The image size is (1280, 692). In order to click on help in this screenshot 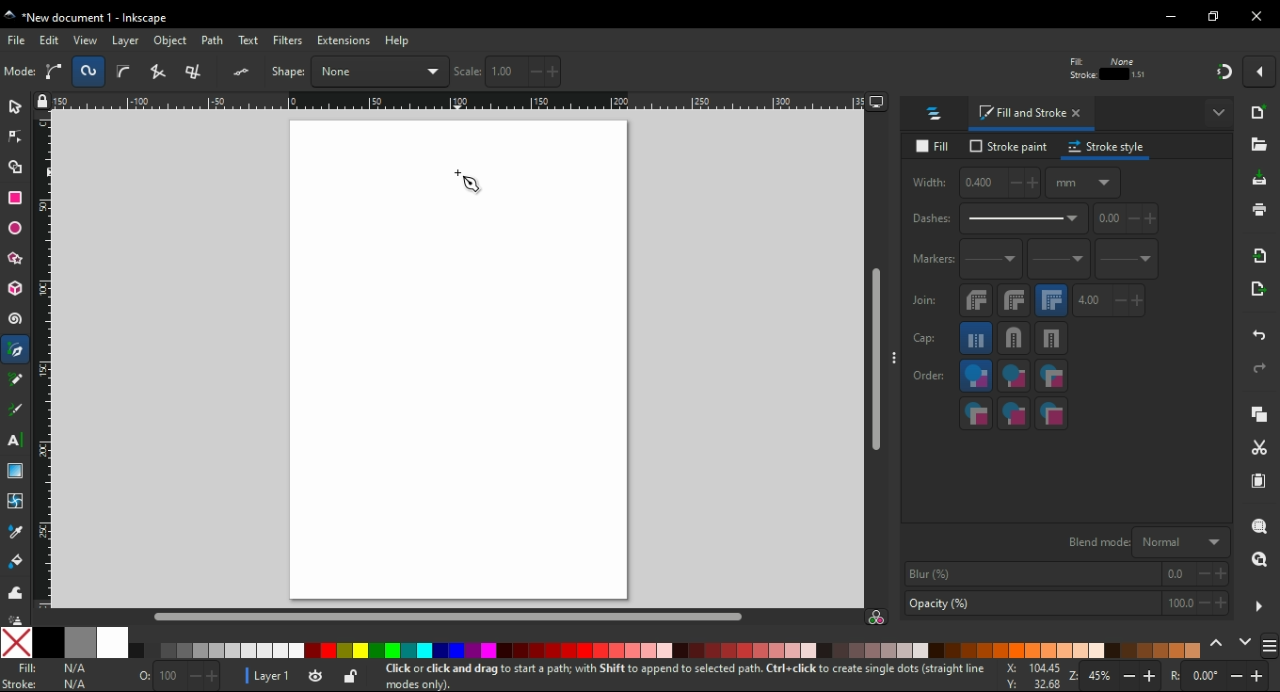, I will do `click(397, 40)`.